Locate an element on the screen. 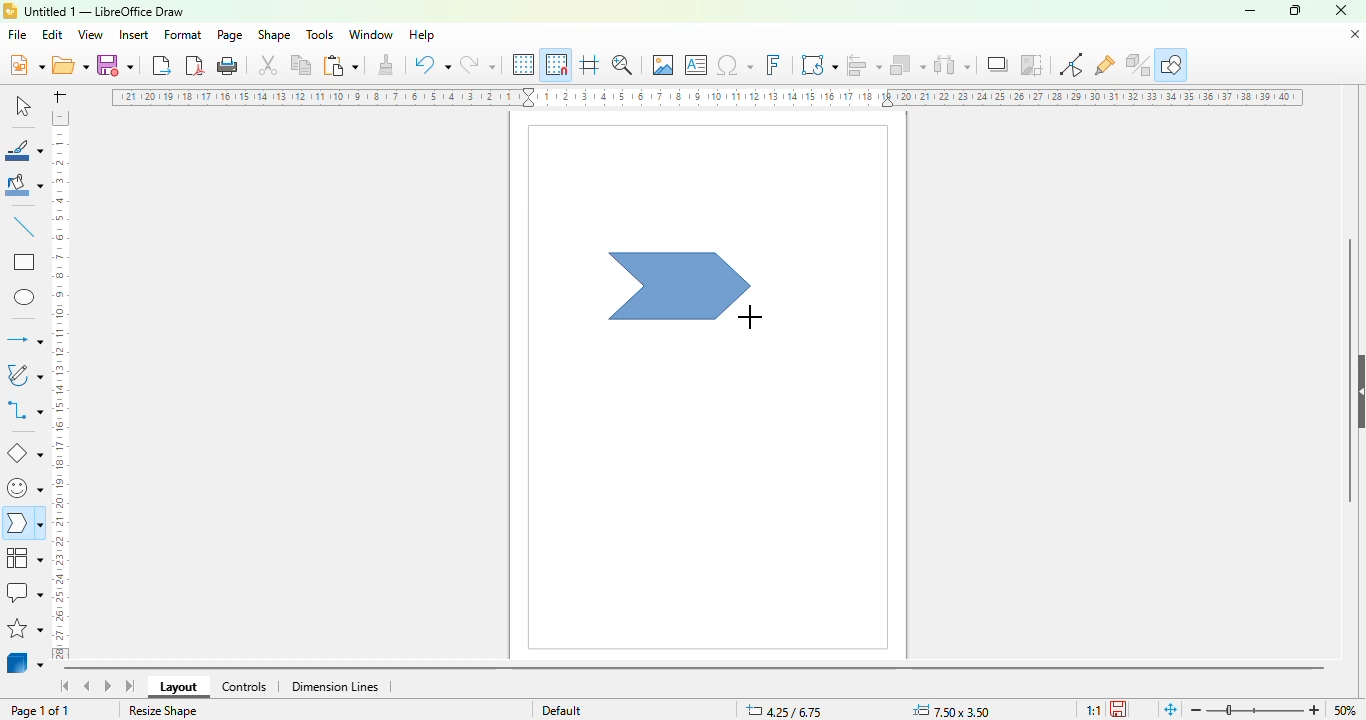 The image size is (1366, 720). help is located at coordinates (423, 35).